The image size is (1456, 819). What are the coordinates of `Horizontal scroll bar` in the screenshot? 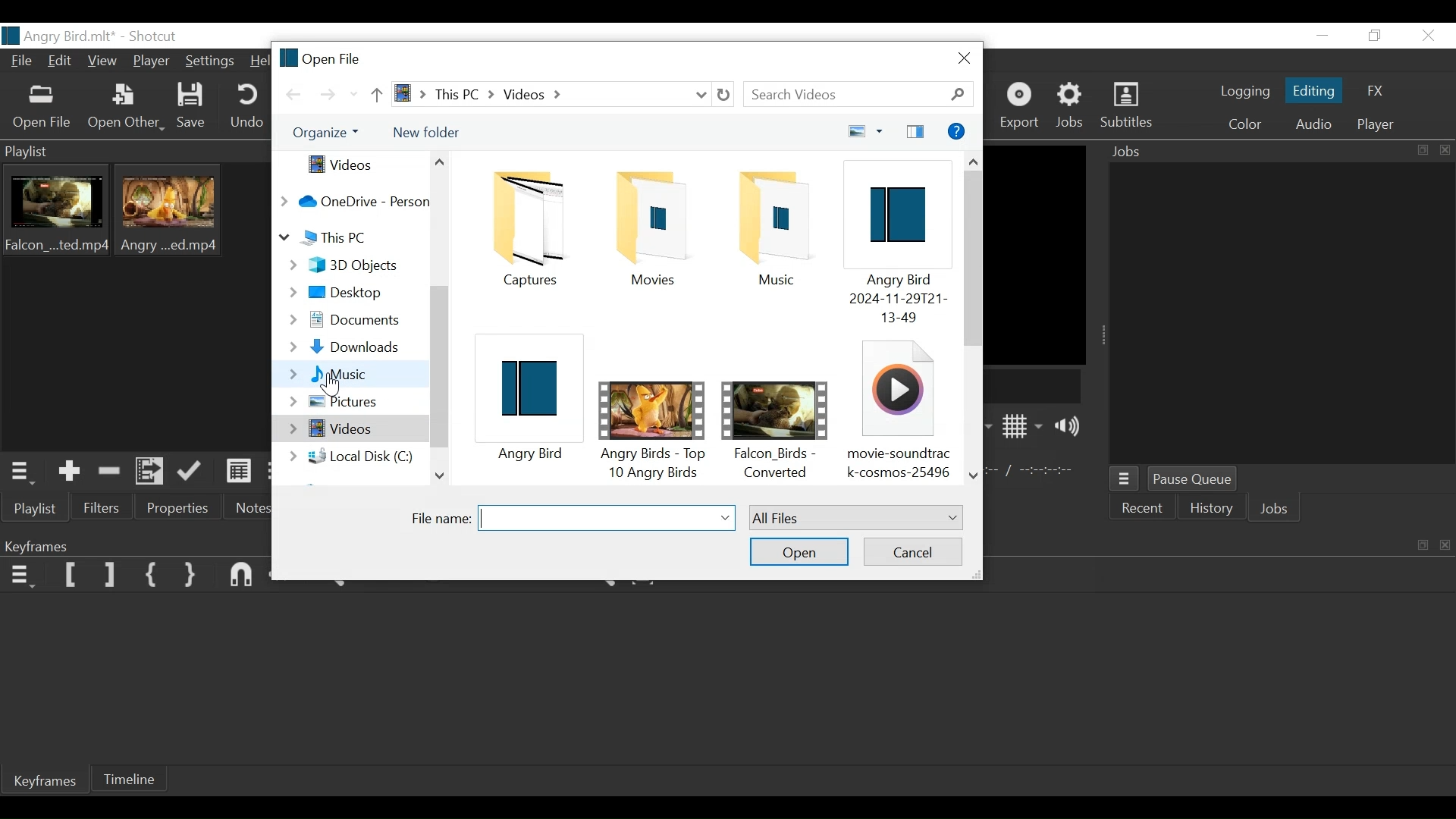 It's located at (974, 324).